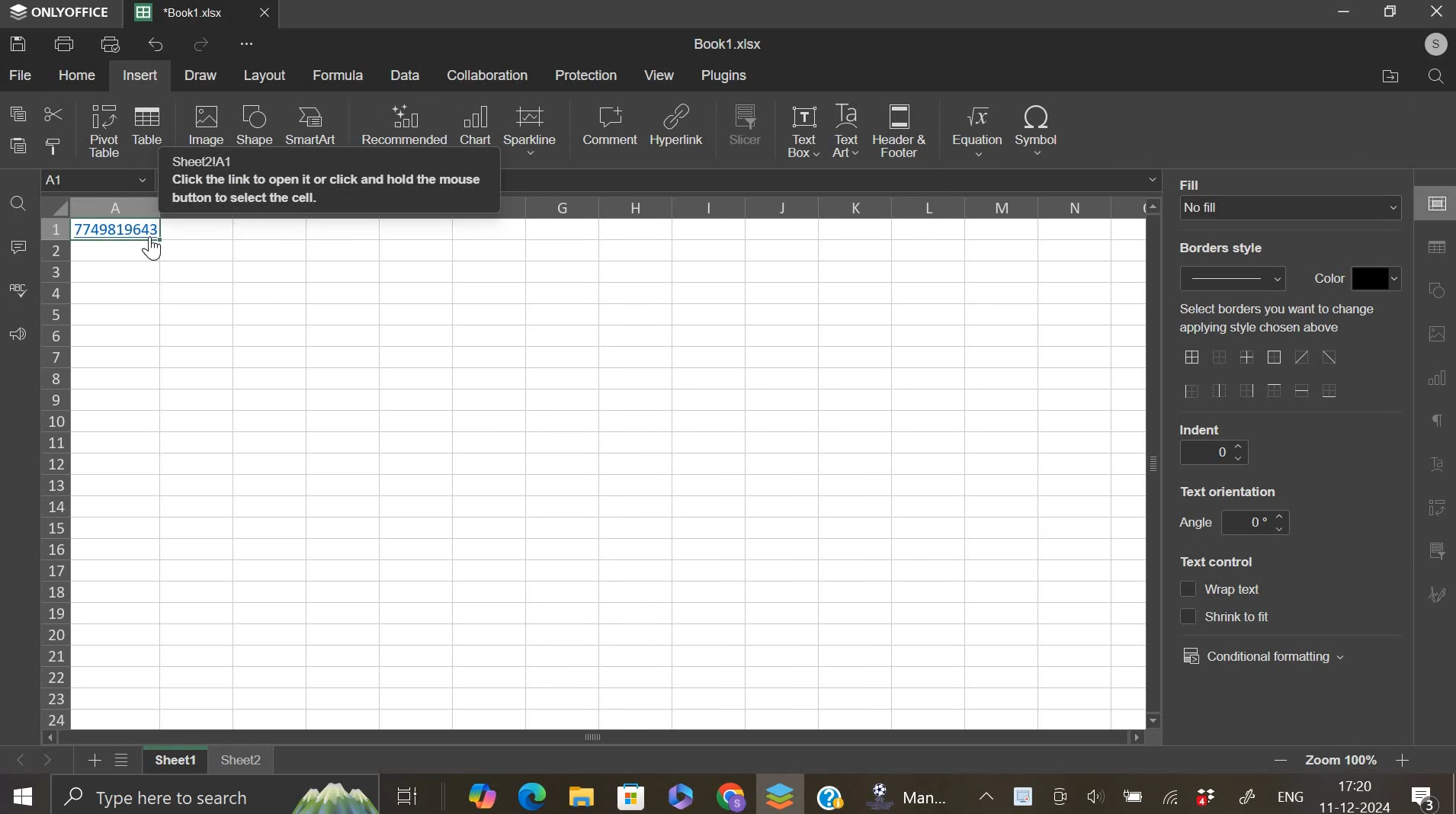 This screenshot has width=1456, height=814. I want to click on text, so click(1195, 524).